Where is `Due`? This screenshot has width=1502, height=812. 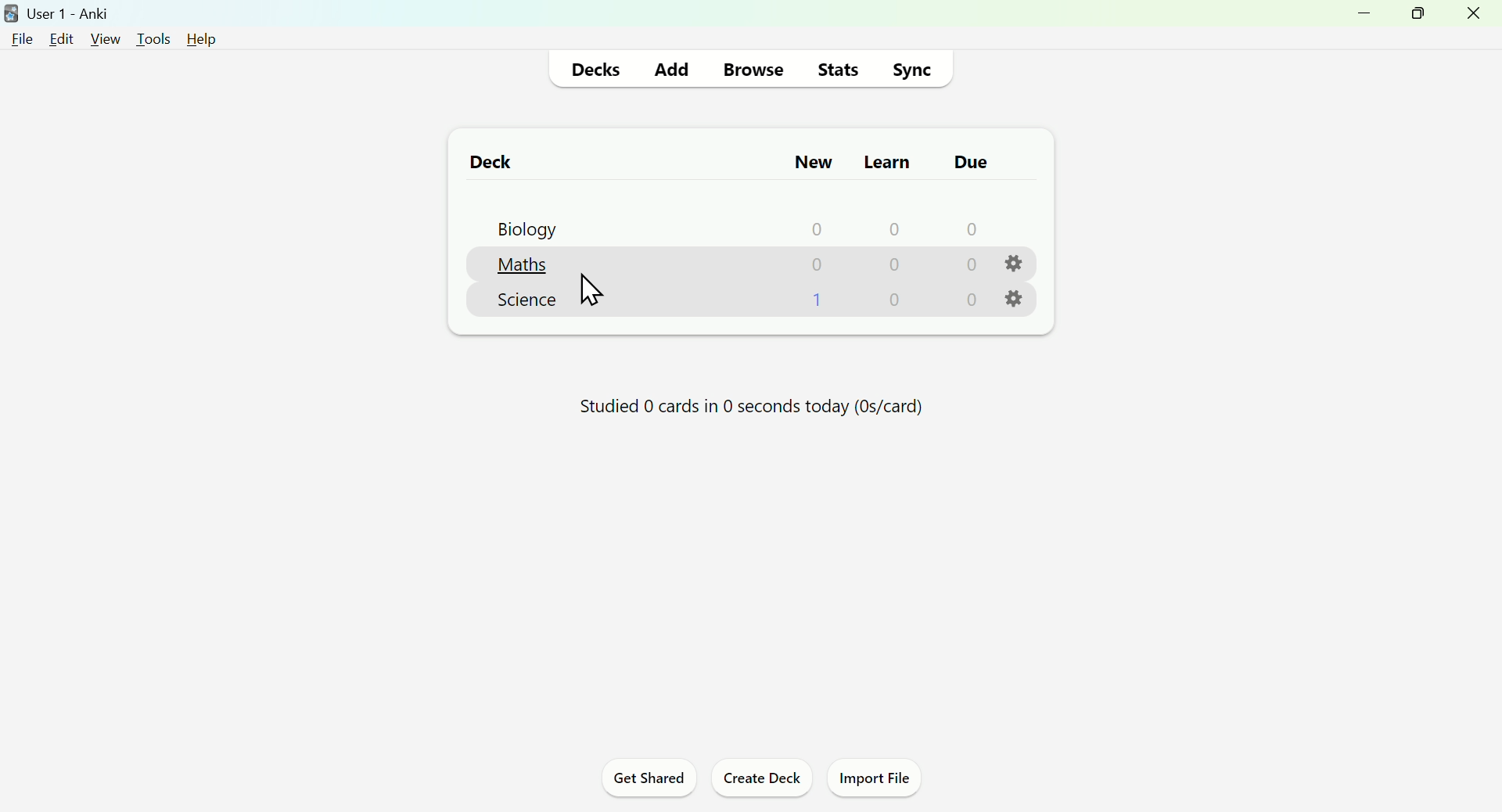
Due is located at coordinates (966, 162).